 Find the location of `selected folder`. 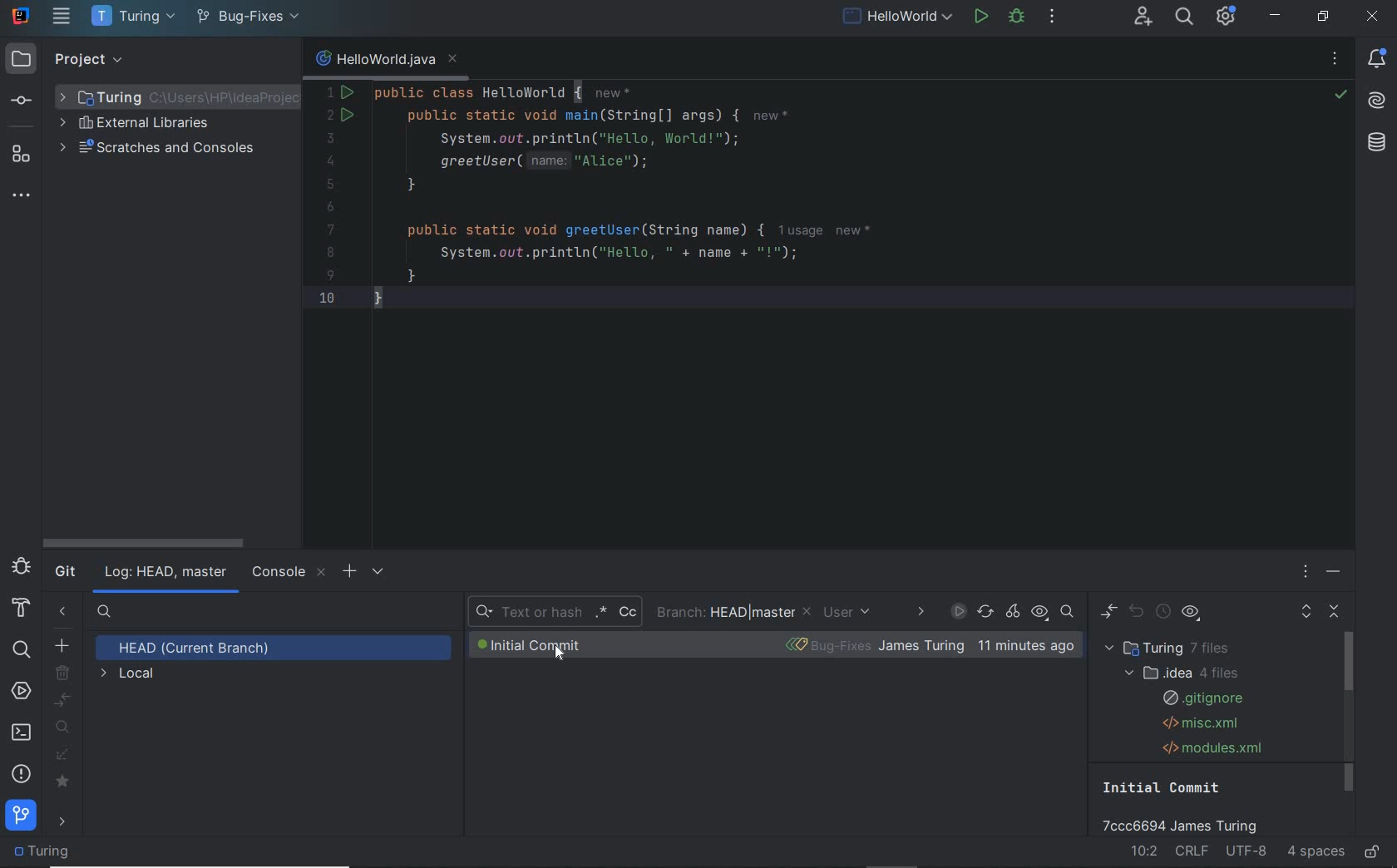

selected folder is located at coordinates (175, 98).